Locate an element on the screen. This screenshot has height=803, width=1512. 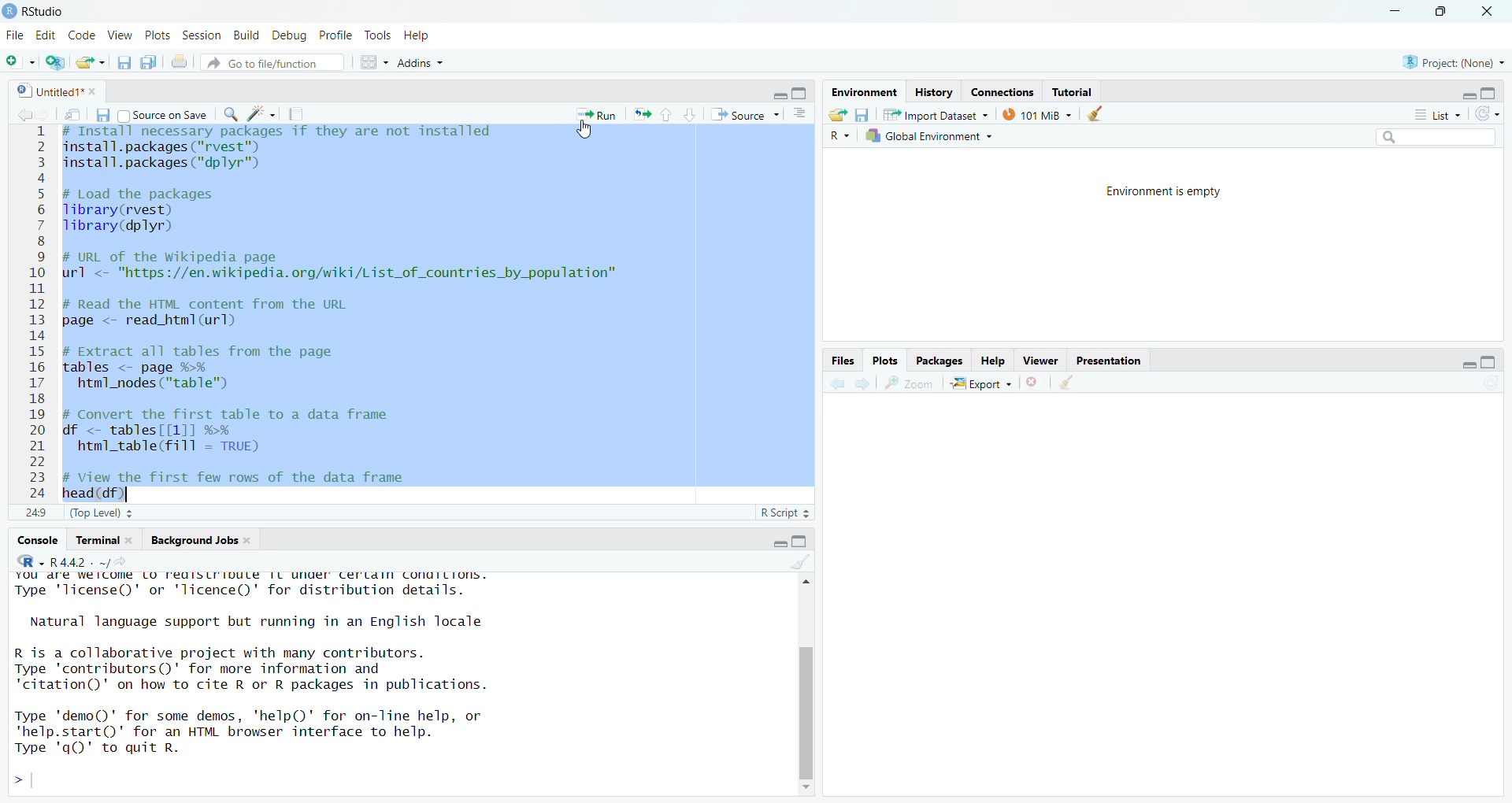
Terminal is located at coordinates (94, 540).